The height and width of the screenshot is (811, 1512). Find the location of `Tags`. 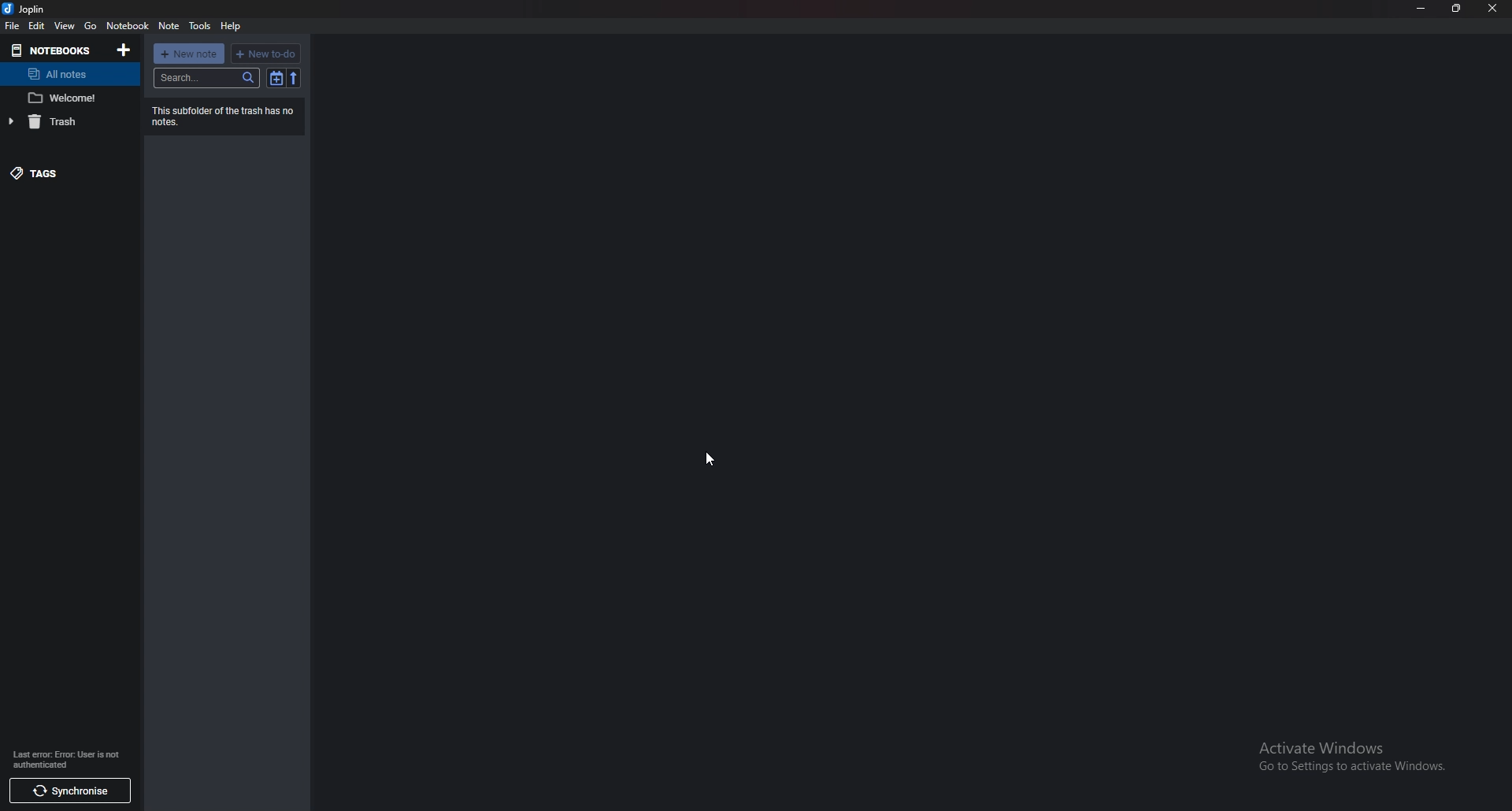

Tags is located at coordinates (61, 172).